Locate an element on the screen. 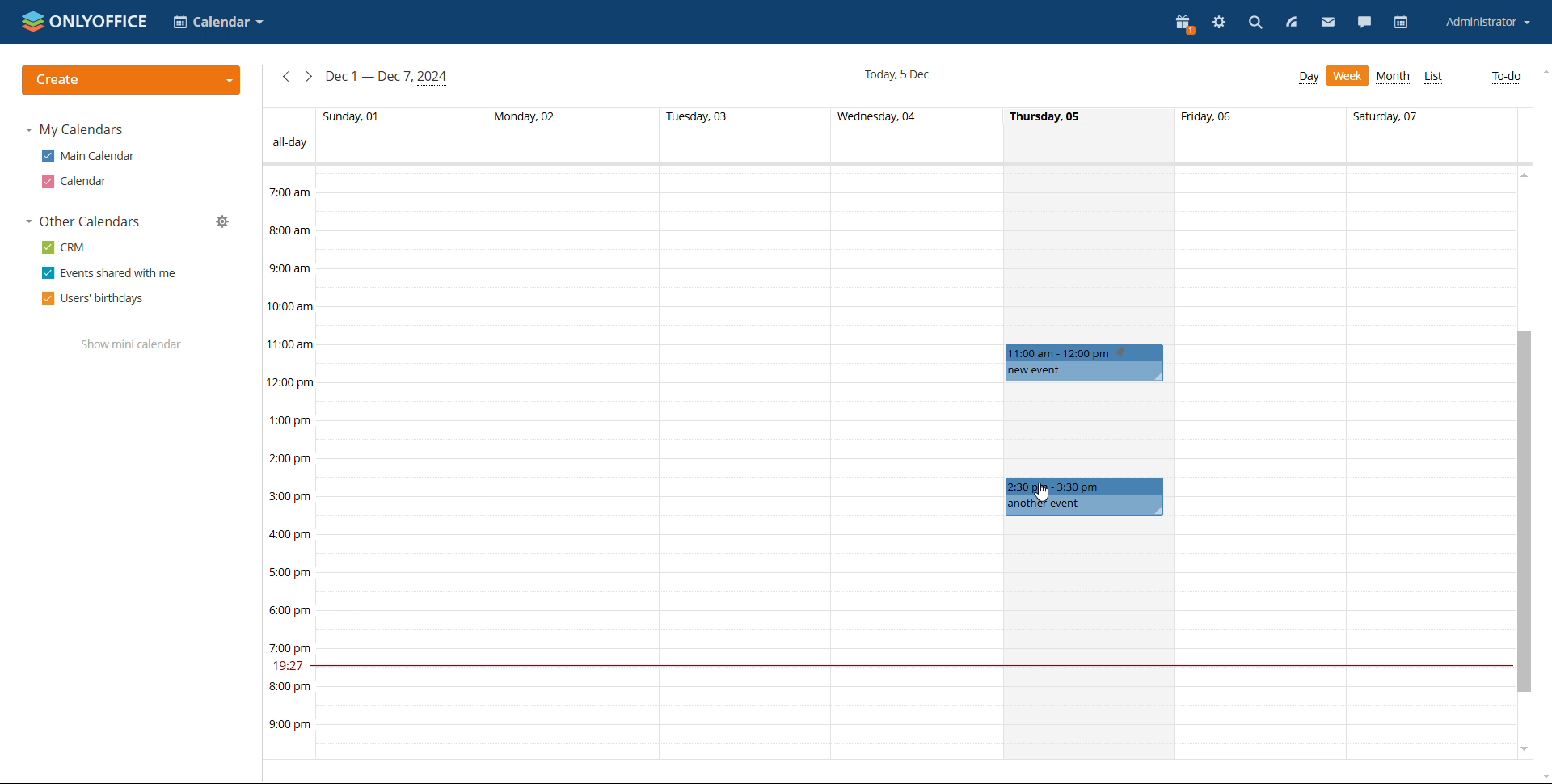 The width and height of the screenshot is (1552, 784). next week is located at coordinates (308, 76).